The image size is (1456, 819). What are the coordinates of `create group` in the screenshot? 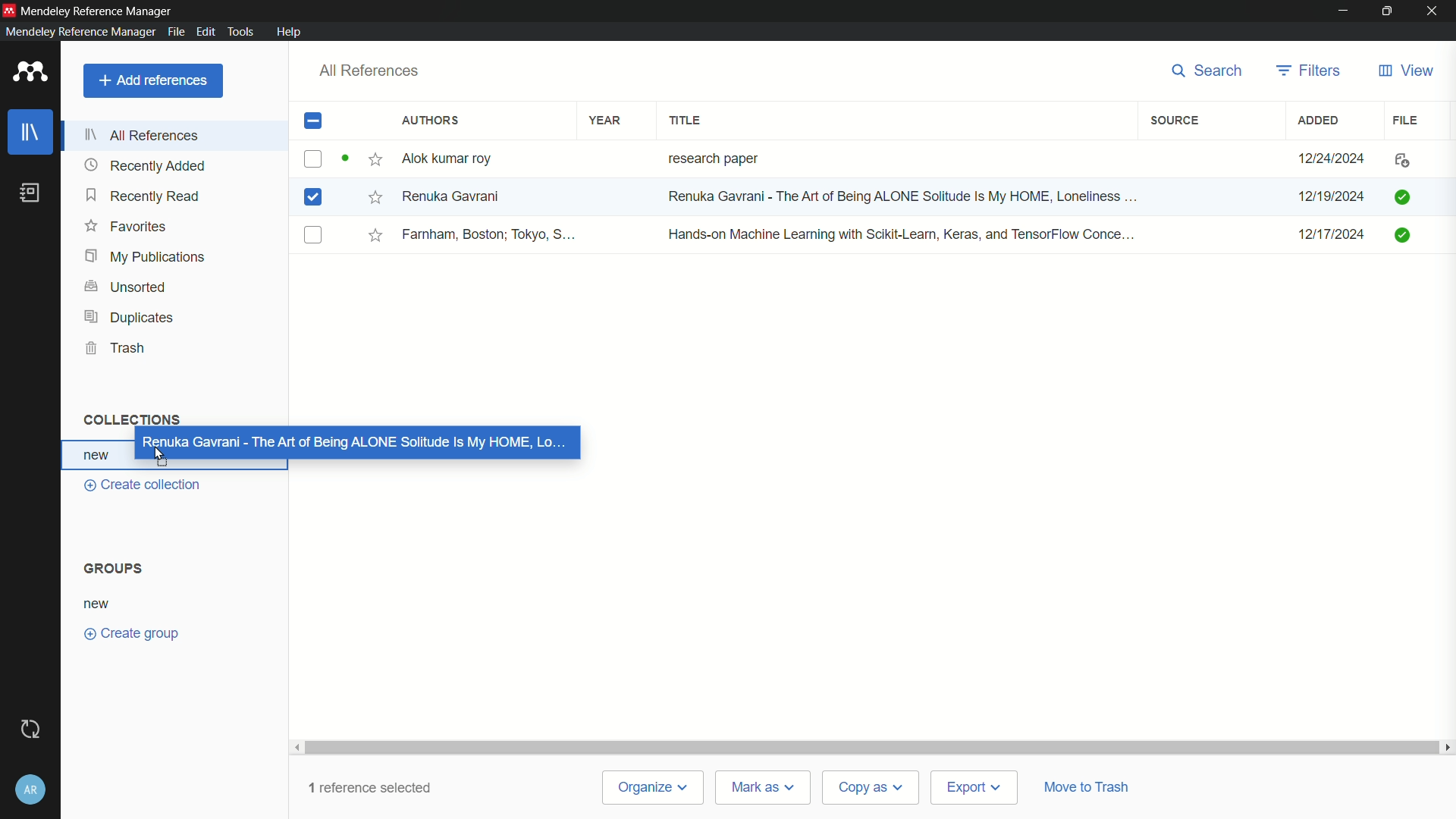 It's located at (133, 634).